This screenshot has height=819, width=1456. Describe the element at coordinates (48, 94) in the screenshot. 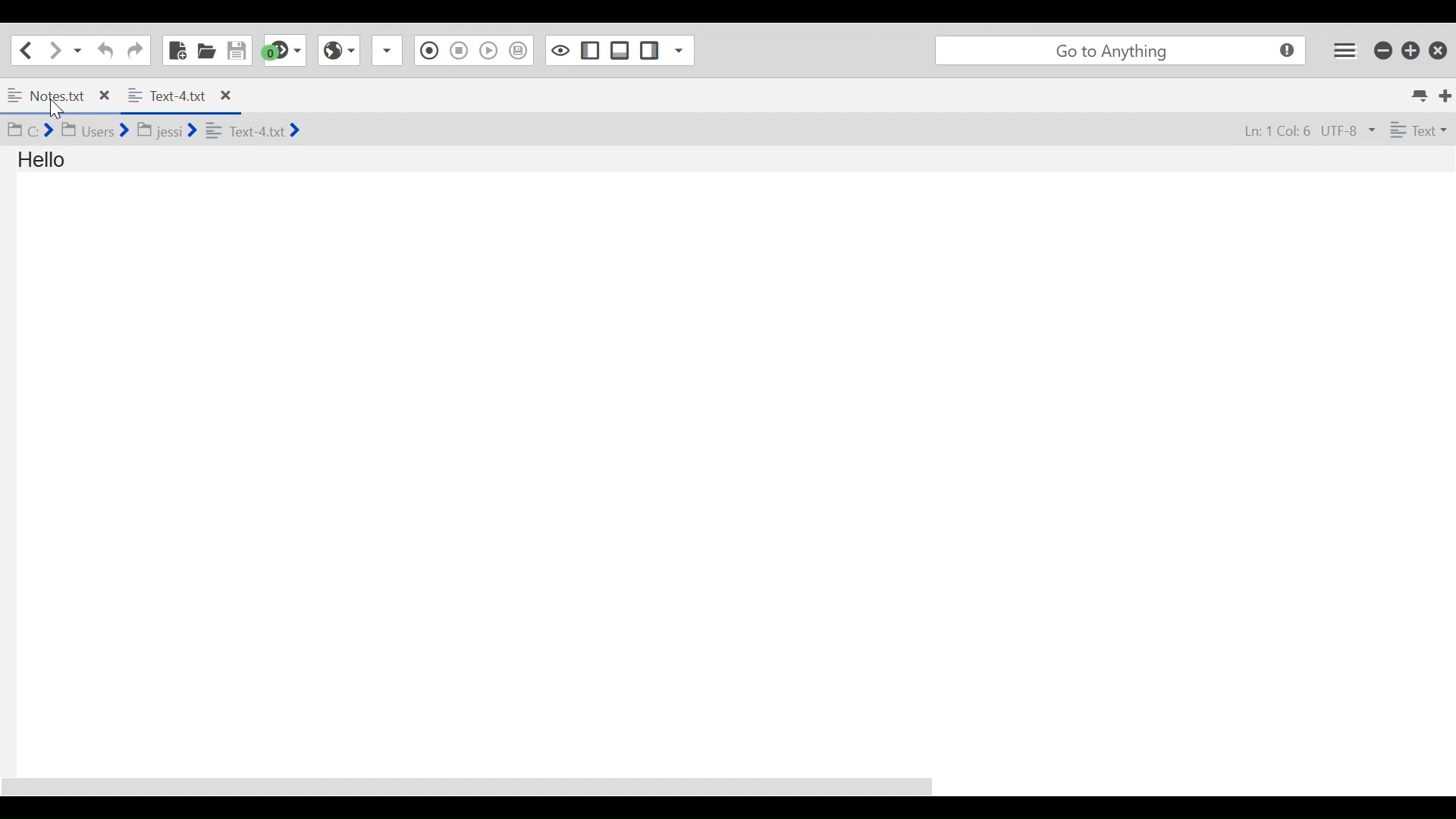

I see `notes.txt` at that location.